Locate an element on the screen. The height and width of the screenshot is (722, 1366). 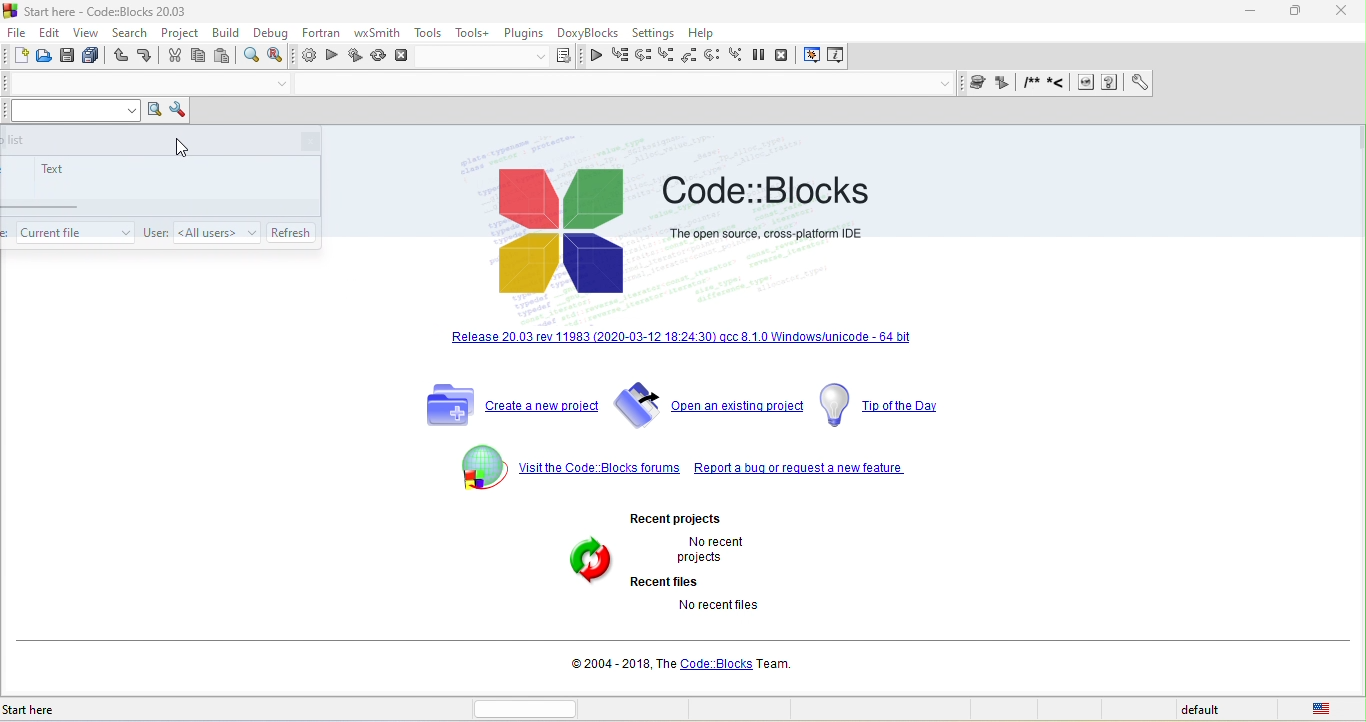
build and run is located at coordinates (355, 58).